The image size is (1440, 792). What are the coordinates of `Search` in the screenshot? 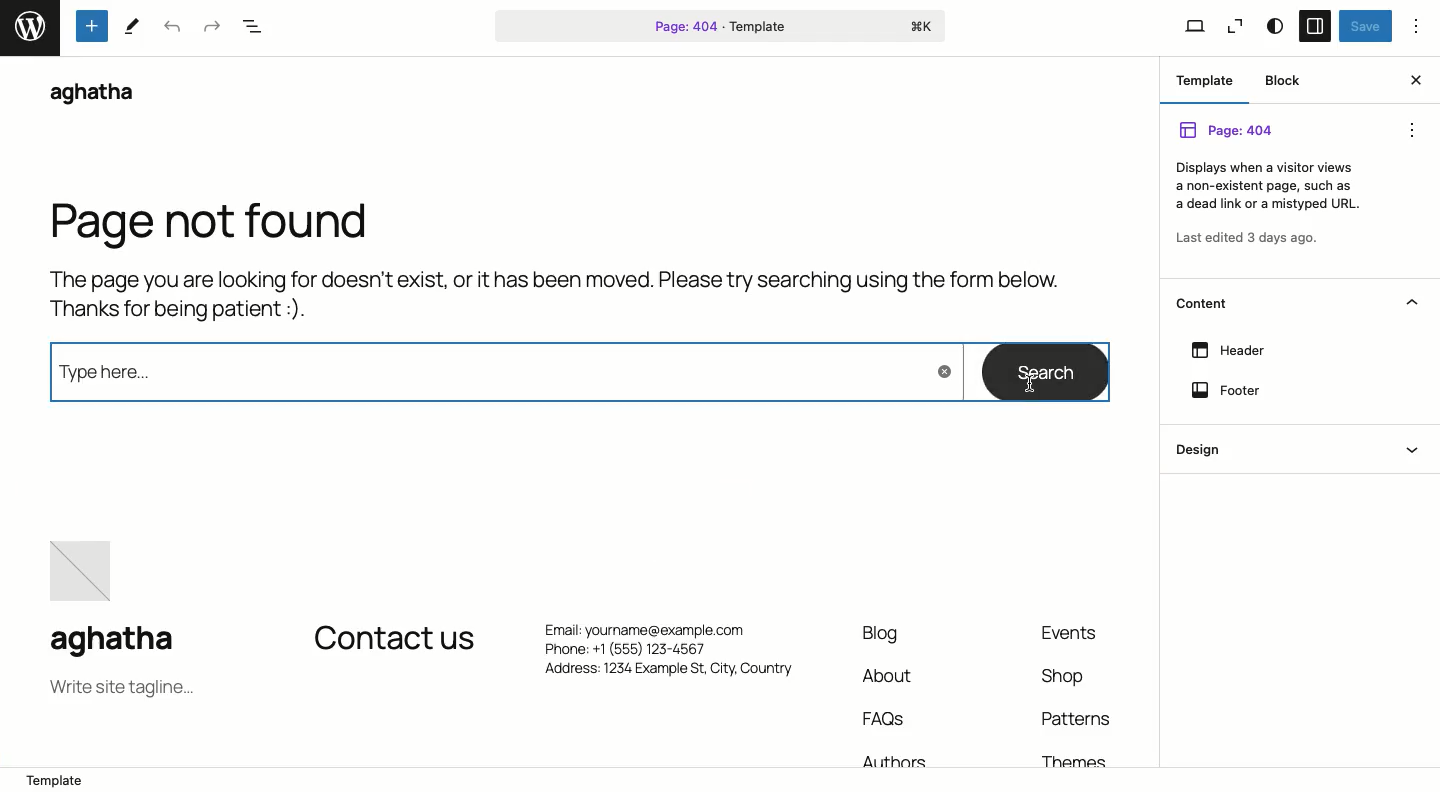 It's located at (1040, 371).